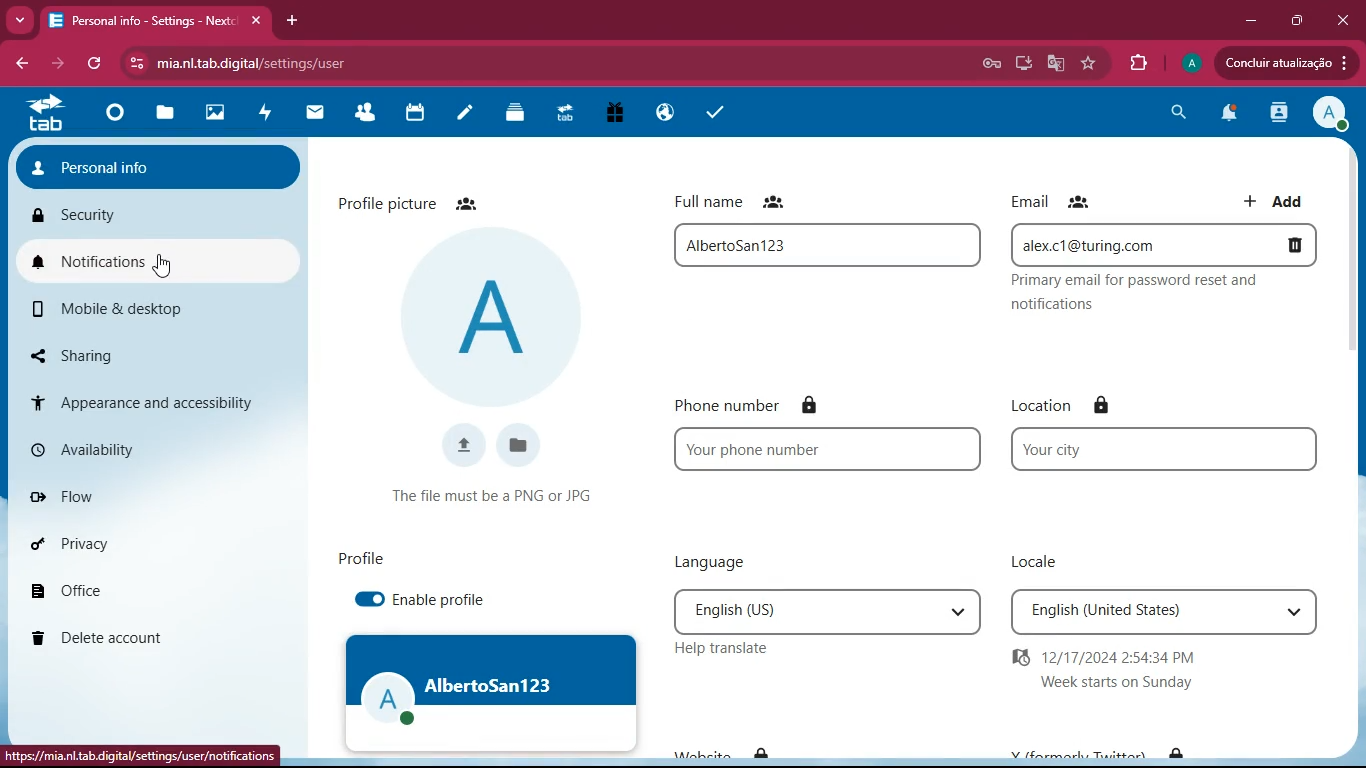 The height and width of the screenshot is (768, 1366). I want to click on availability, so click(94, 444).